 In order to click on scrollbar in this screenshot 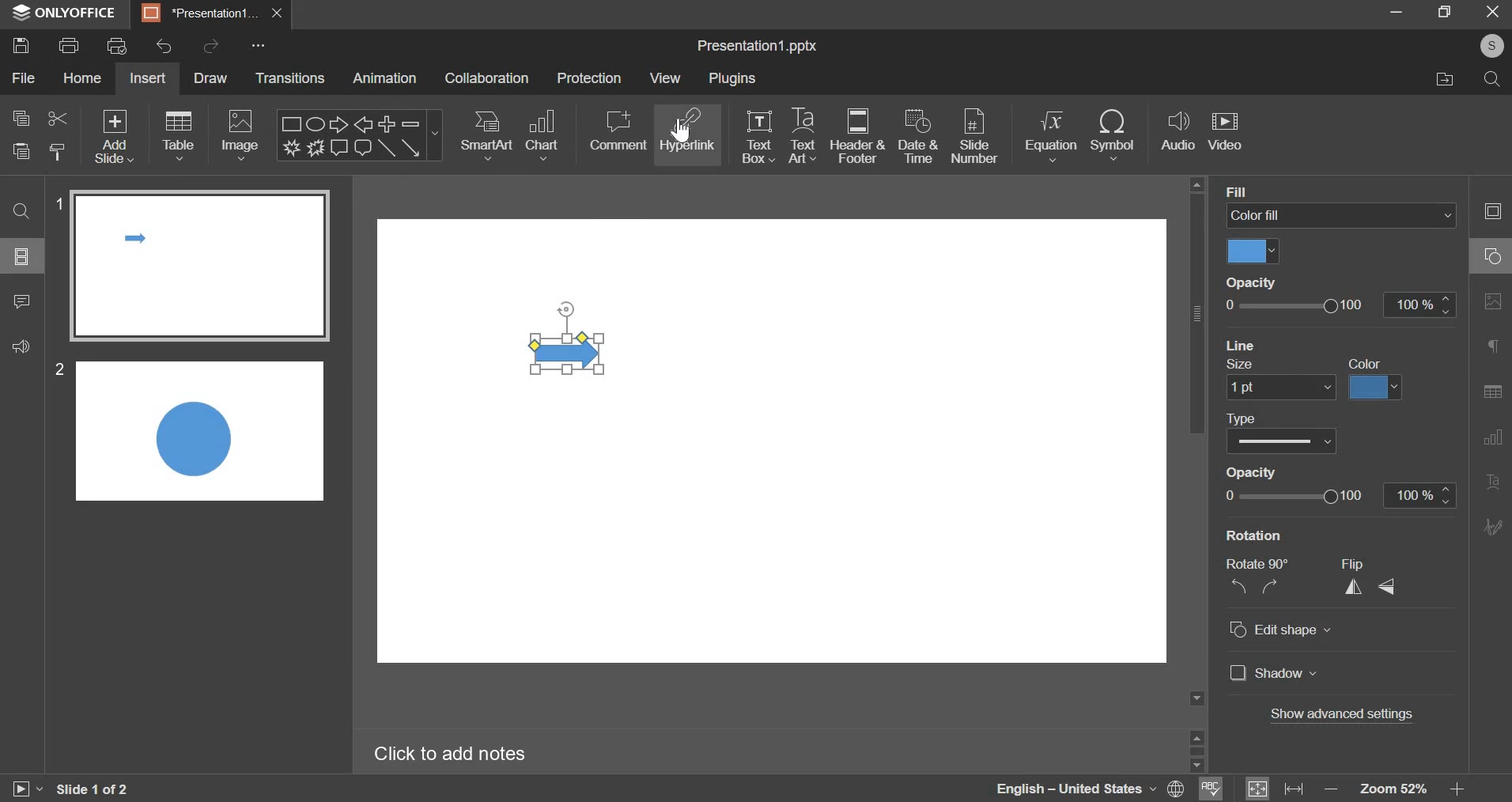, I will do `click(1197, 752)`.